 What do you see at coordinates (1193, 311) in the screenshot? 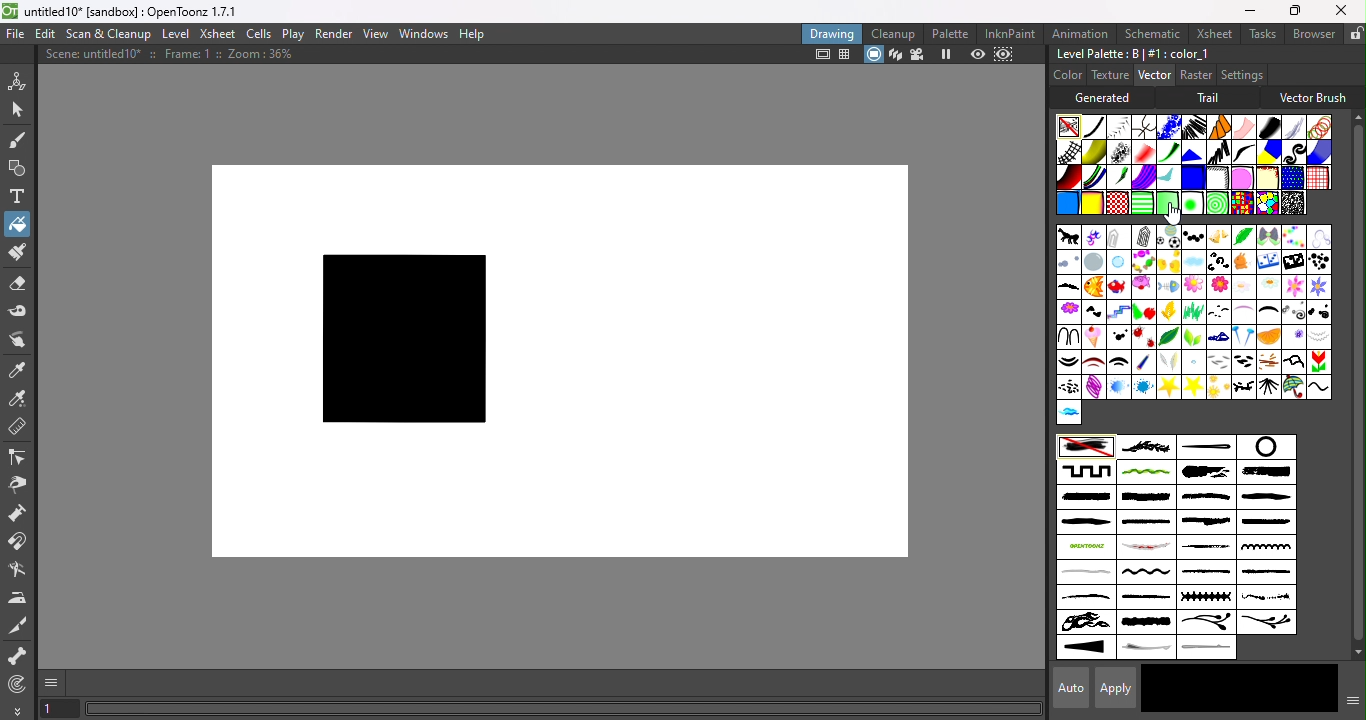
I see `grain` at bounding box center [1193, 311].